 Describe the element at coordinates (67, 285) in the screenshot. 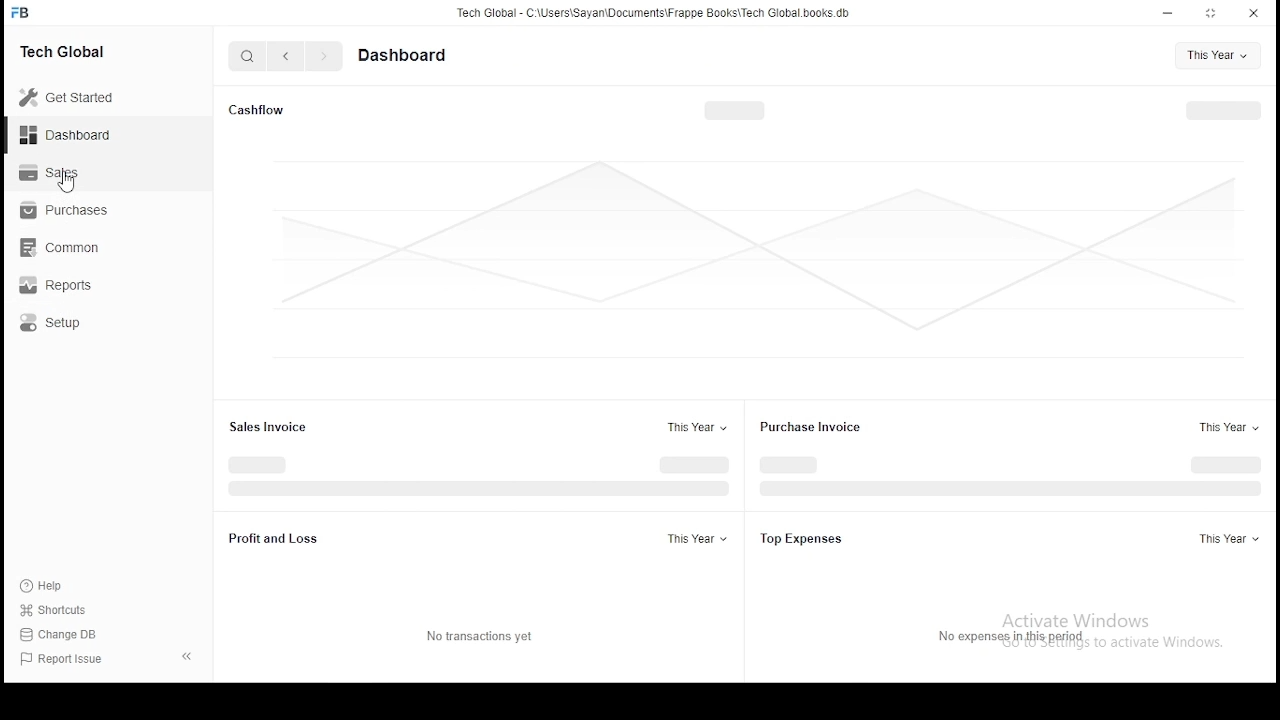

I see `reports` at that location.